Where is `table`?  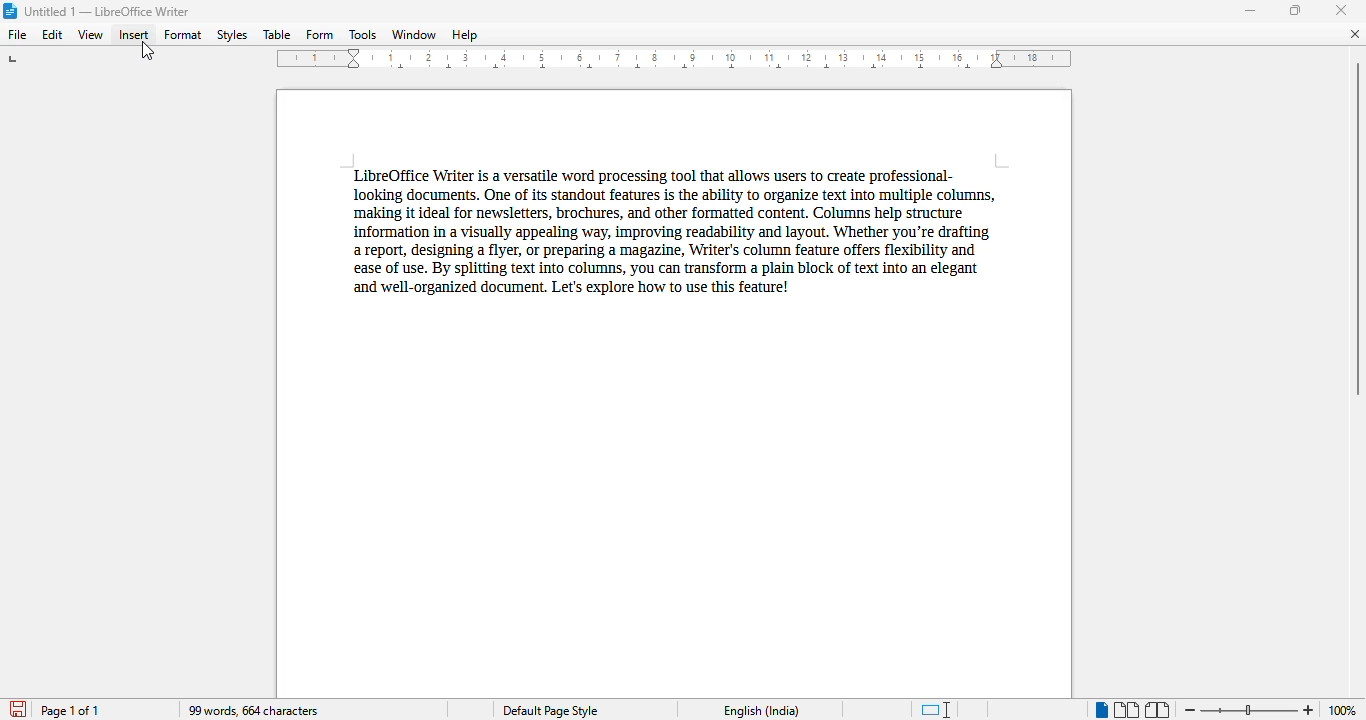 table is located at coordinates (277, 35).